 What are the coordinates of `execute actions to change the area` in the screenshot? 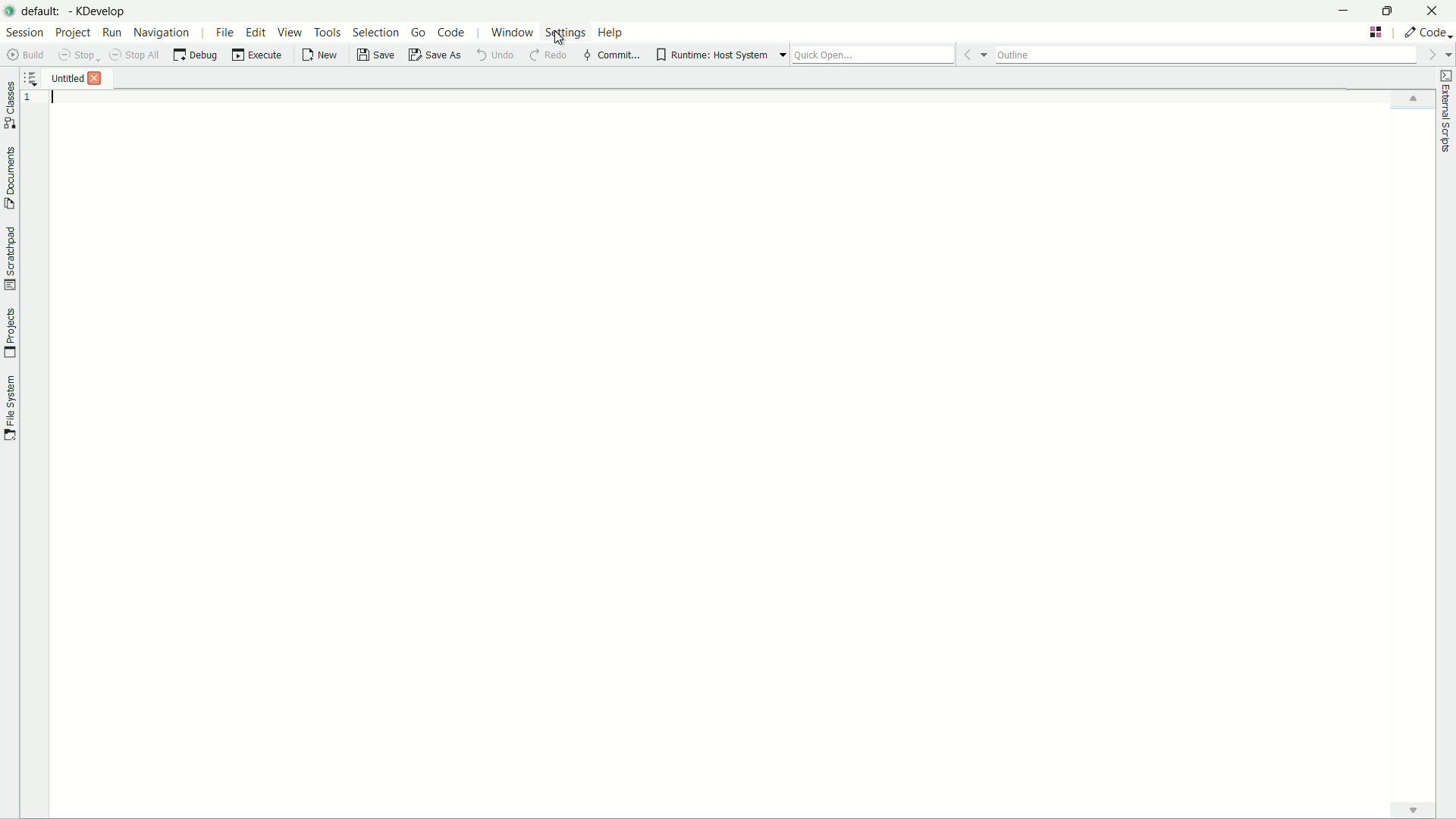 It's located at (1426, 32).